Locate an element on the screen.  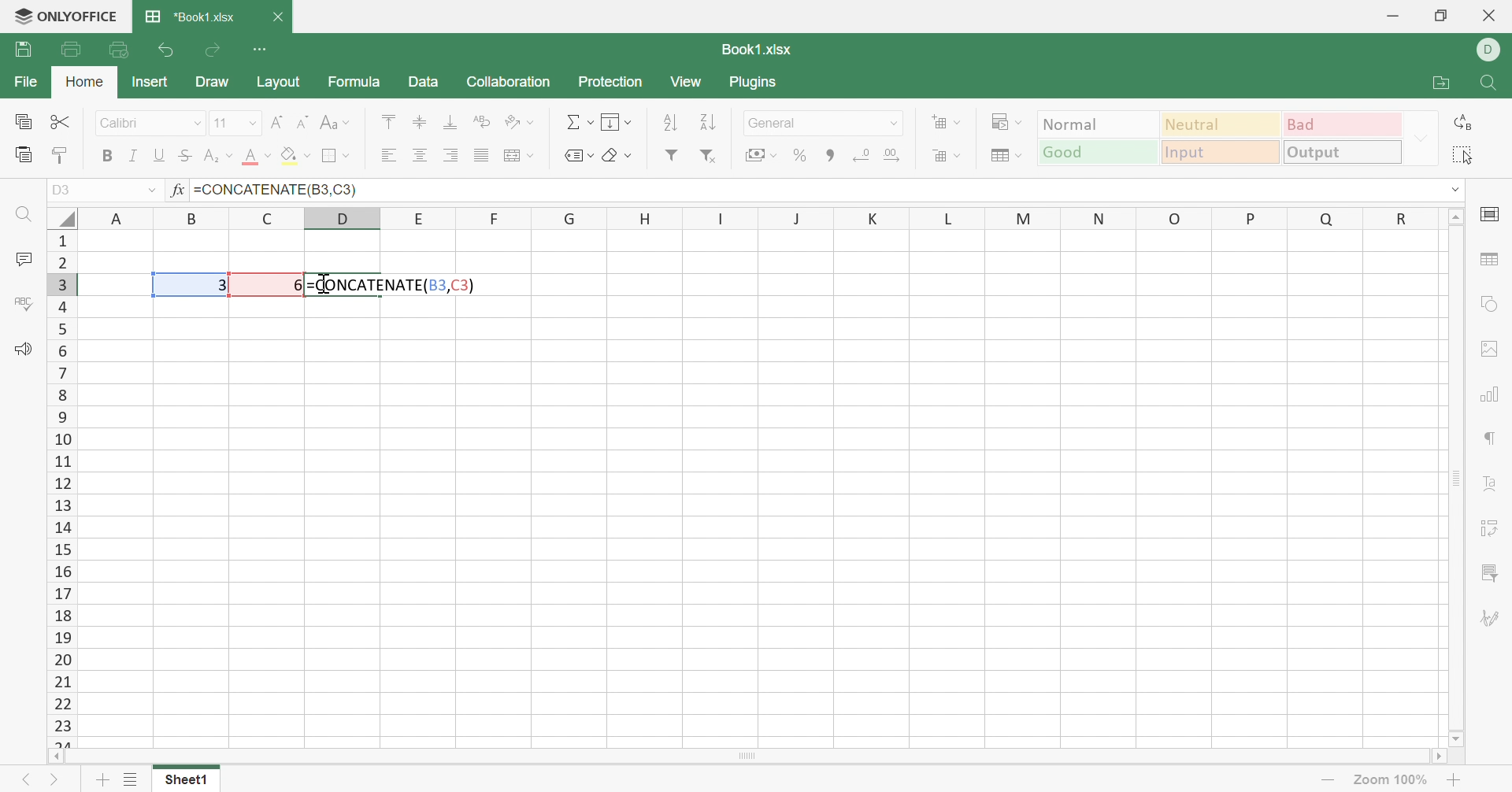
List of sheets is located at coordinates (131, 779).